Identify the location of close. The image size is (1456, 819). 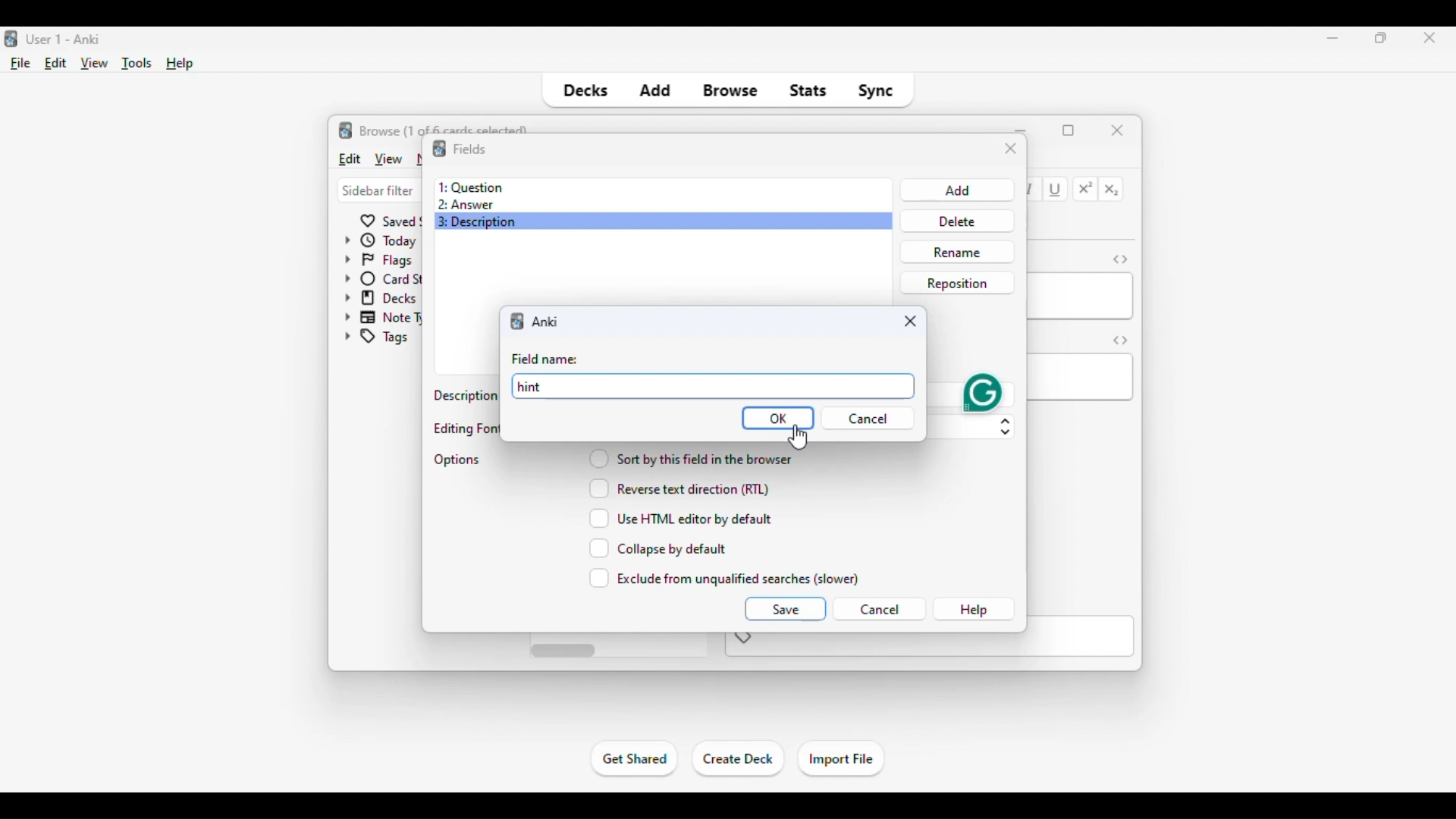
(1011, 149).